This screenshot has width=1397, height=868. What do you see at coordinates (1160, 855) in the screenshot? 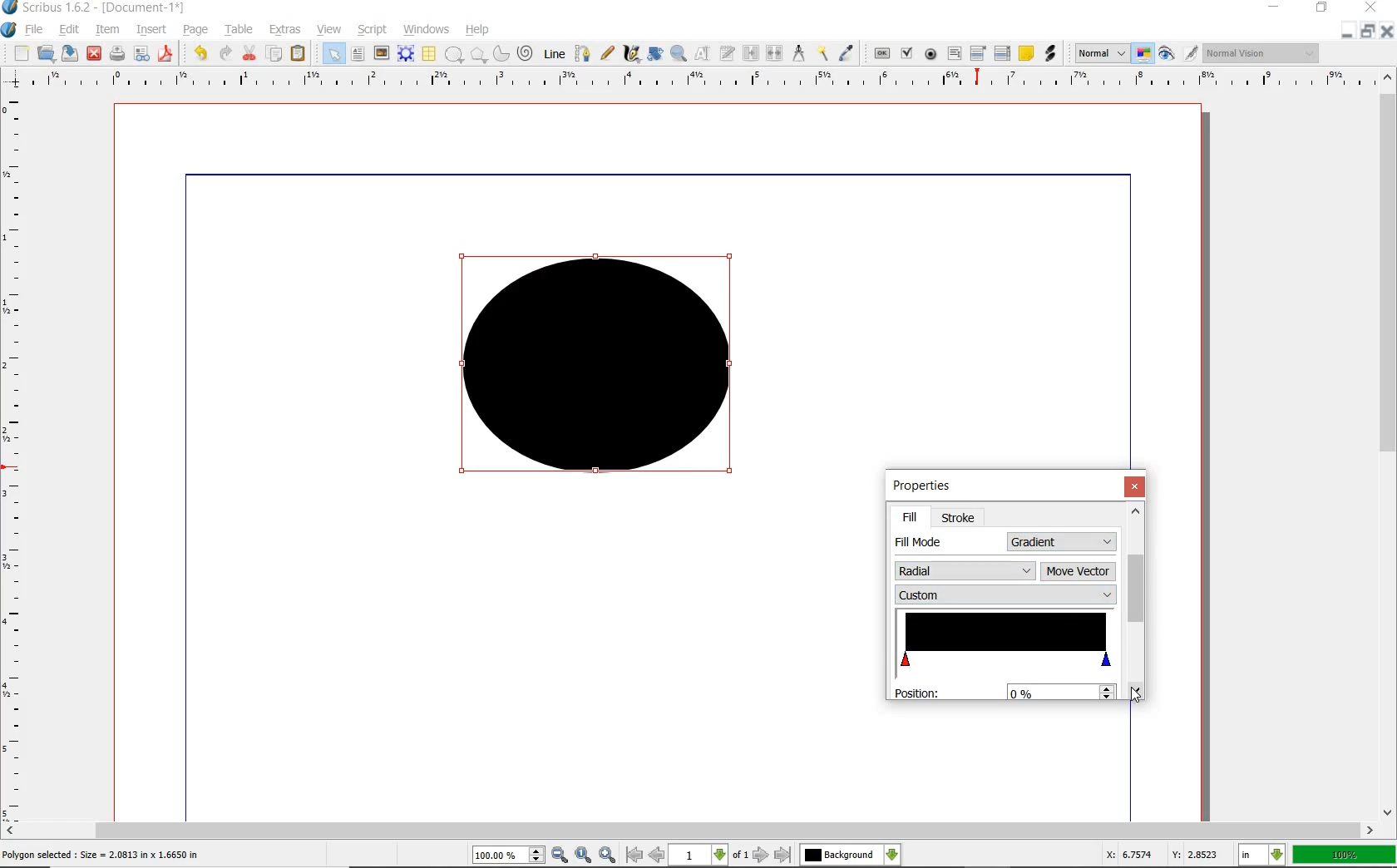
I see `coordinates` at bounding box center [1160, 855].